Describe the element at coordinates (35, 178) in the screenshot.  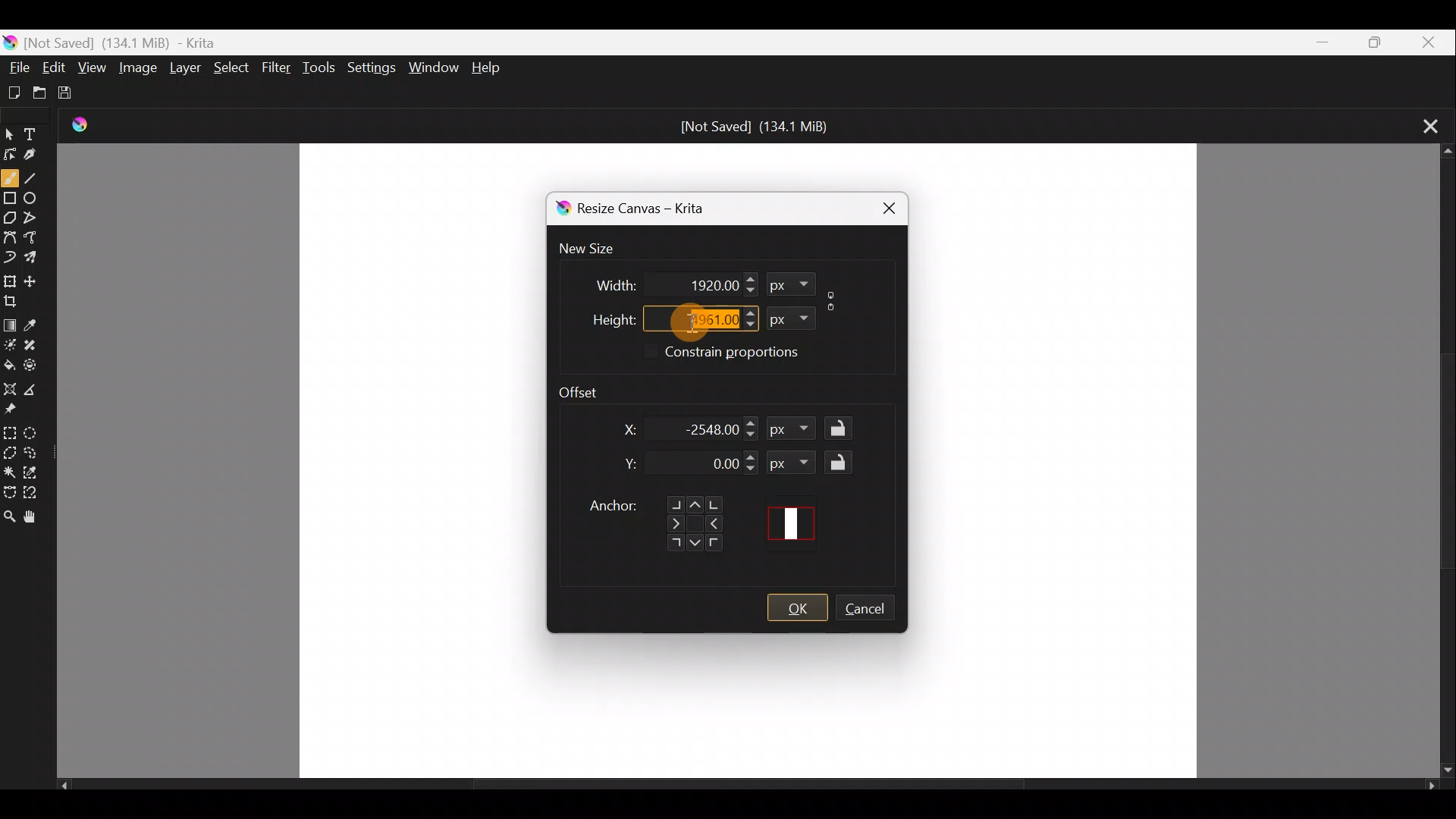
I see `Line tool` at that location.